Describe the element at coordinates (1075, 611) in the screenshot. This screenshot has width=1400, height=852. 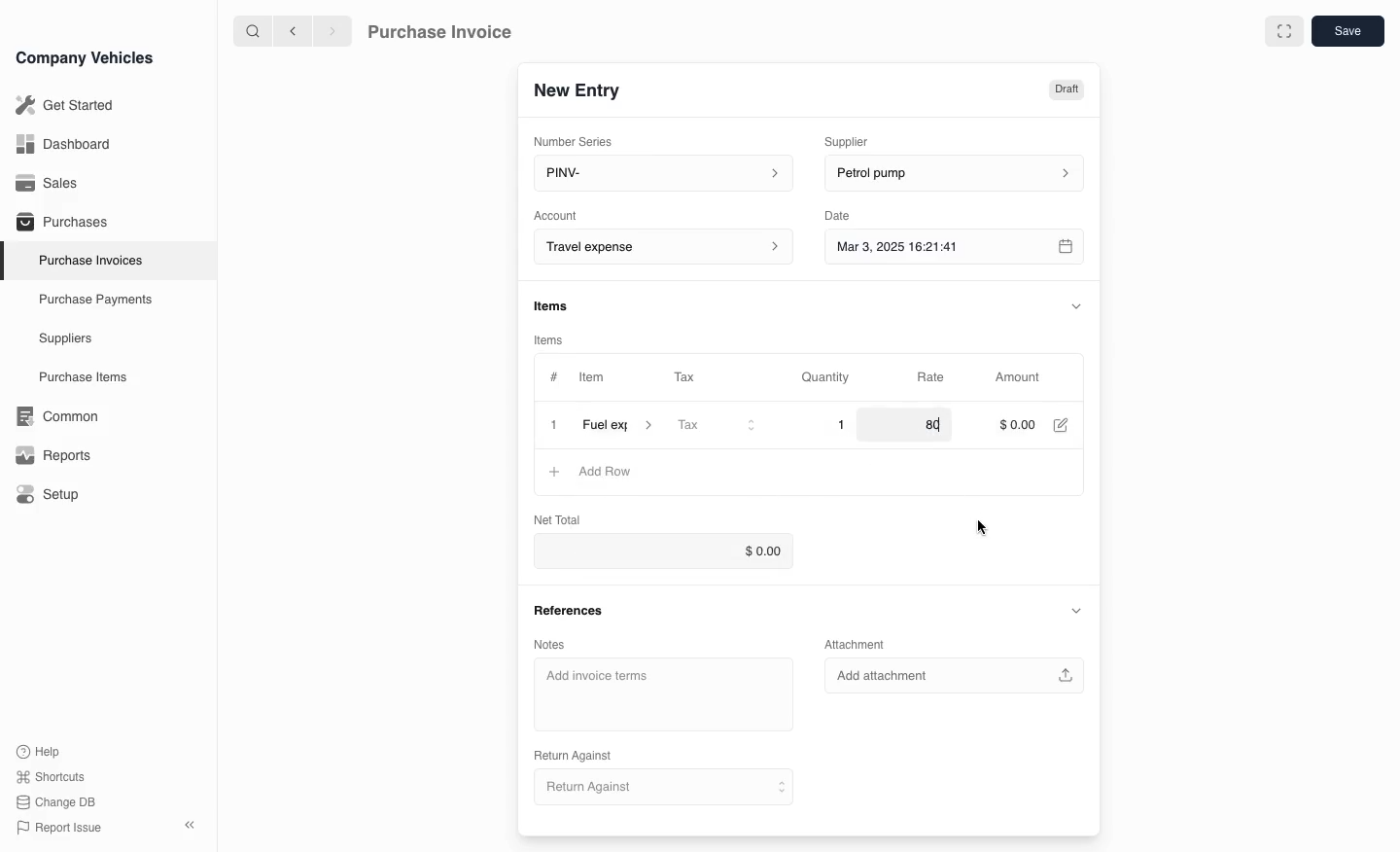
I see `collapse` at that location.